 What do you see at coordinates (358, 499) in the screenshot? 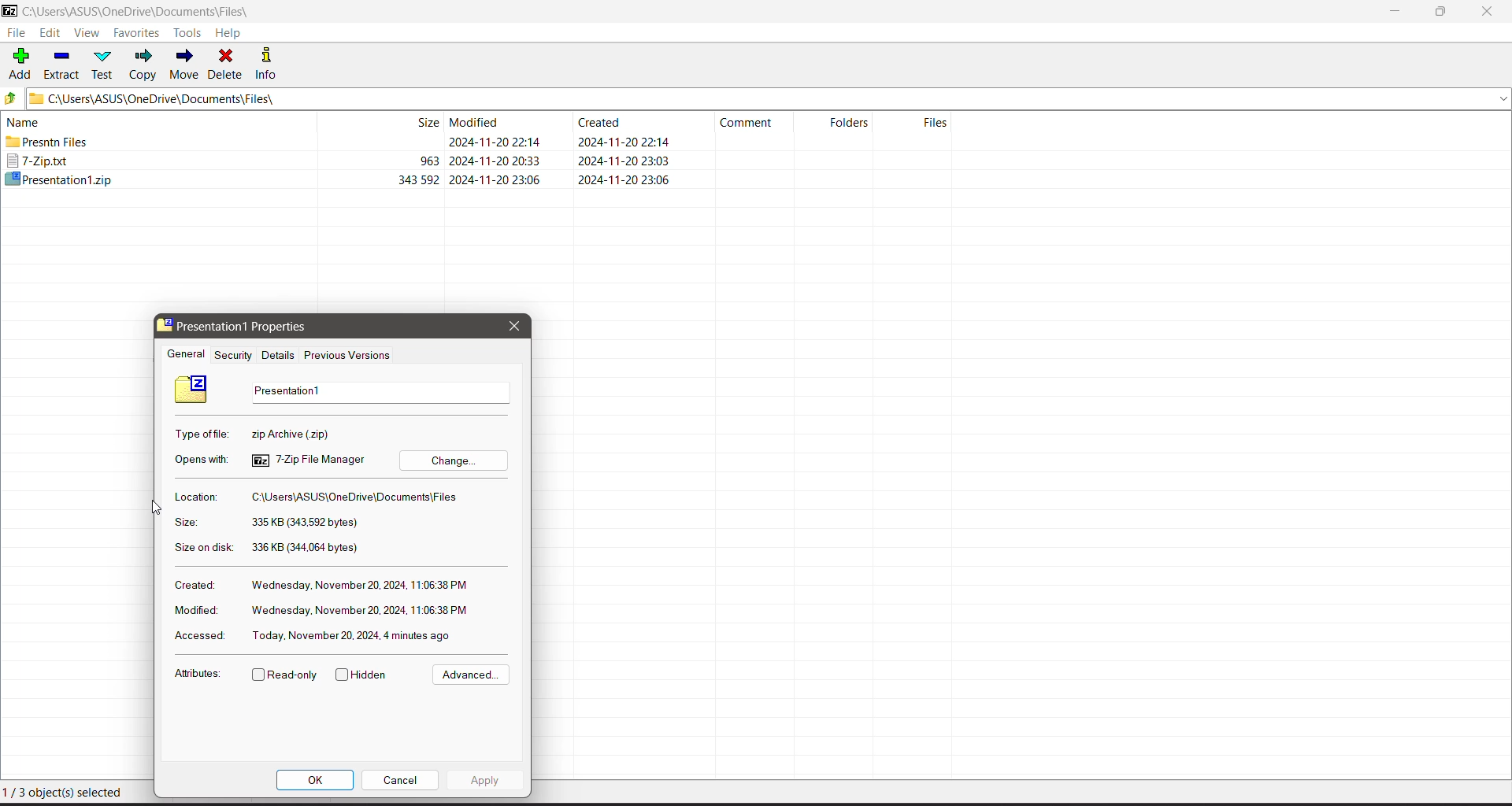
I see `Location of the selected file` at bounding box center [358, 499].